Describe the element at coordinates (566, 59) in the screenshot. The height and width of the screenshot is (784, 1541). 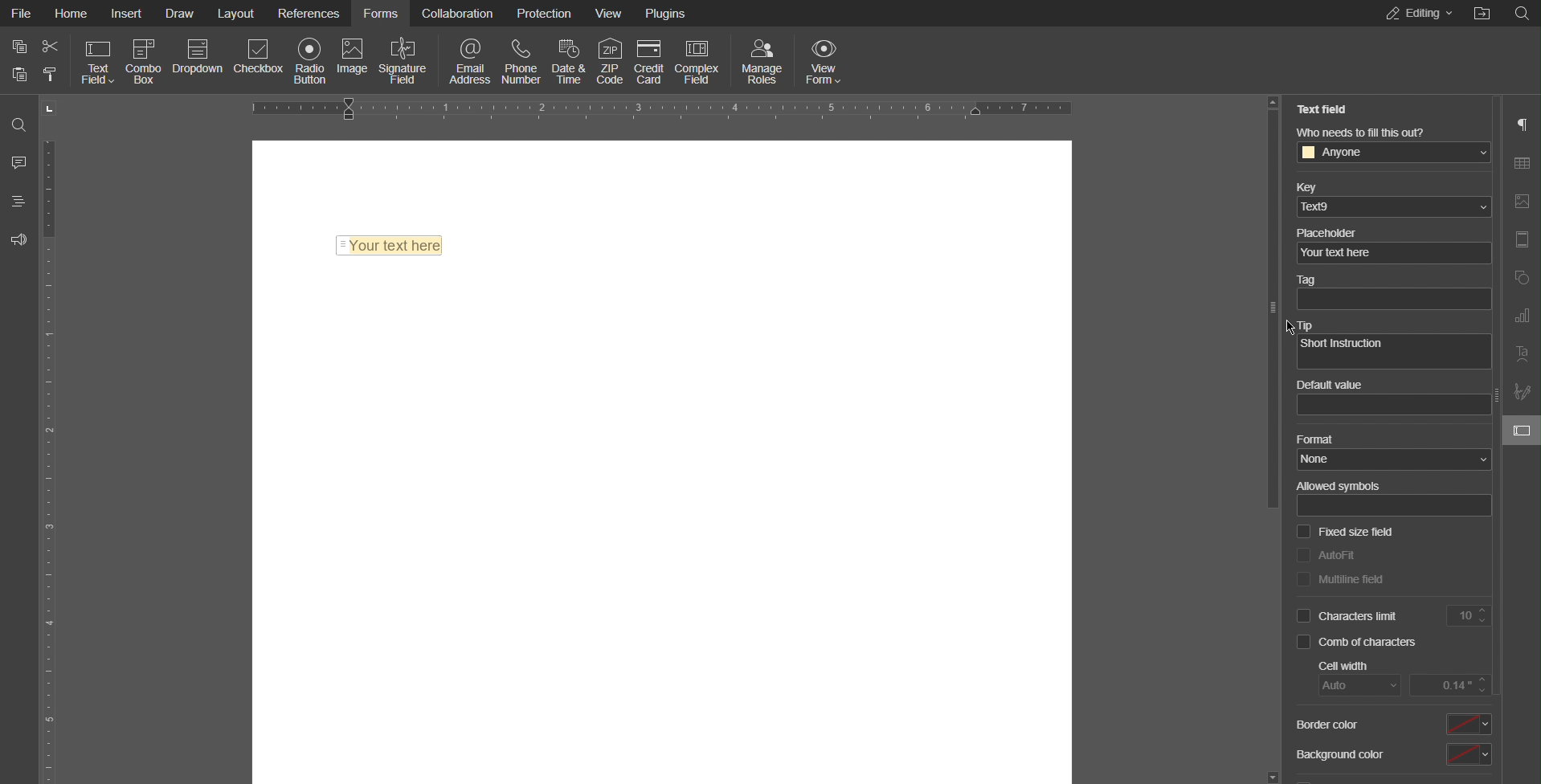
I see `Date & Time` at that location.